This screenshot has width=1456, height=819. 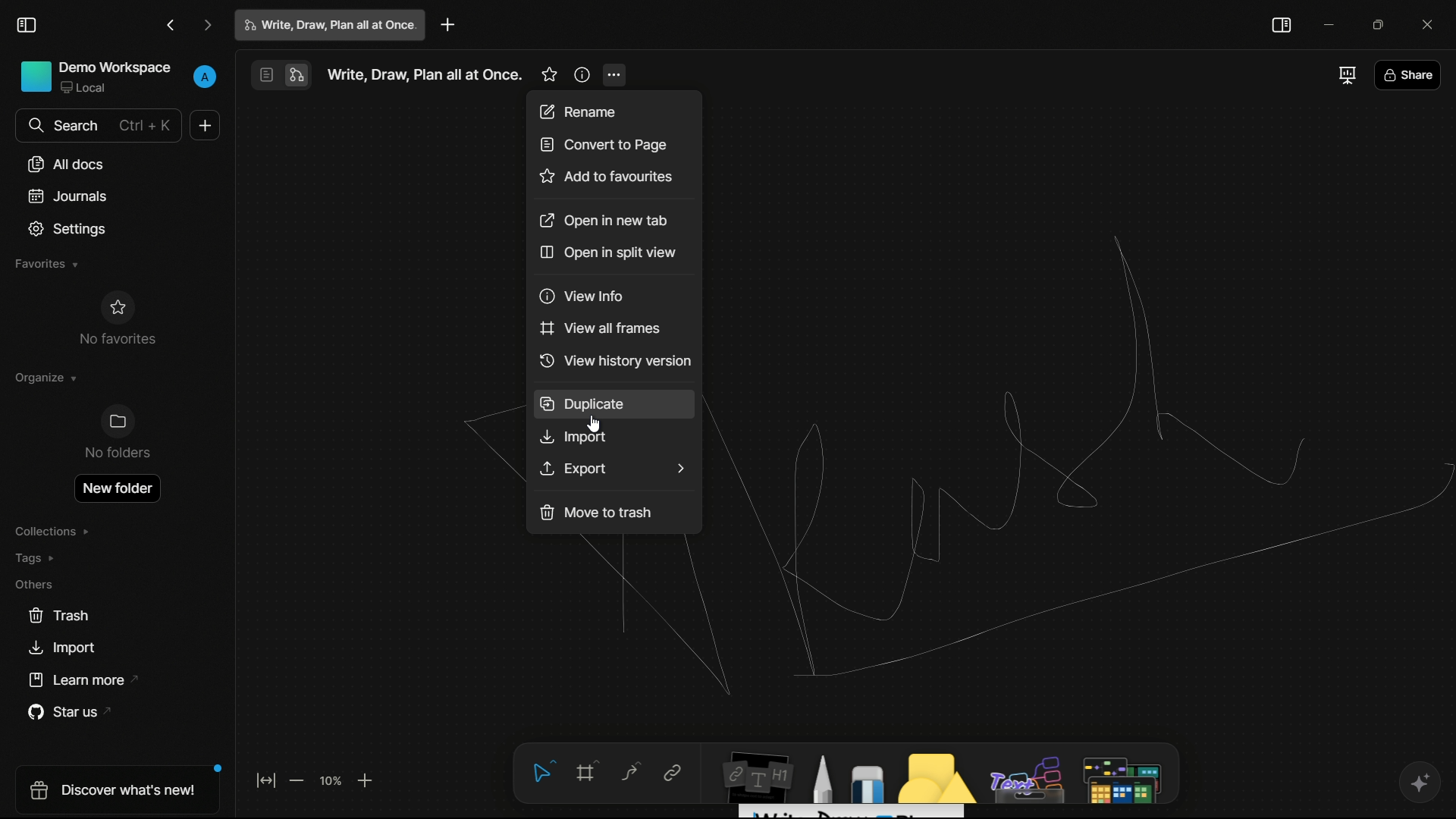 I want to click on new document, so click(x=206, y=127).